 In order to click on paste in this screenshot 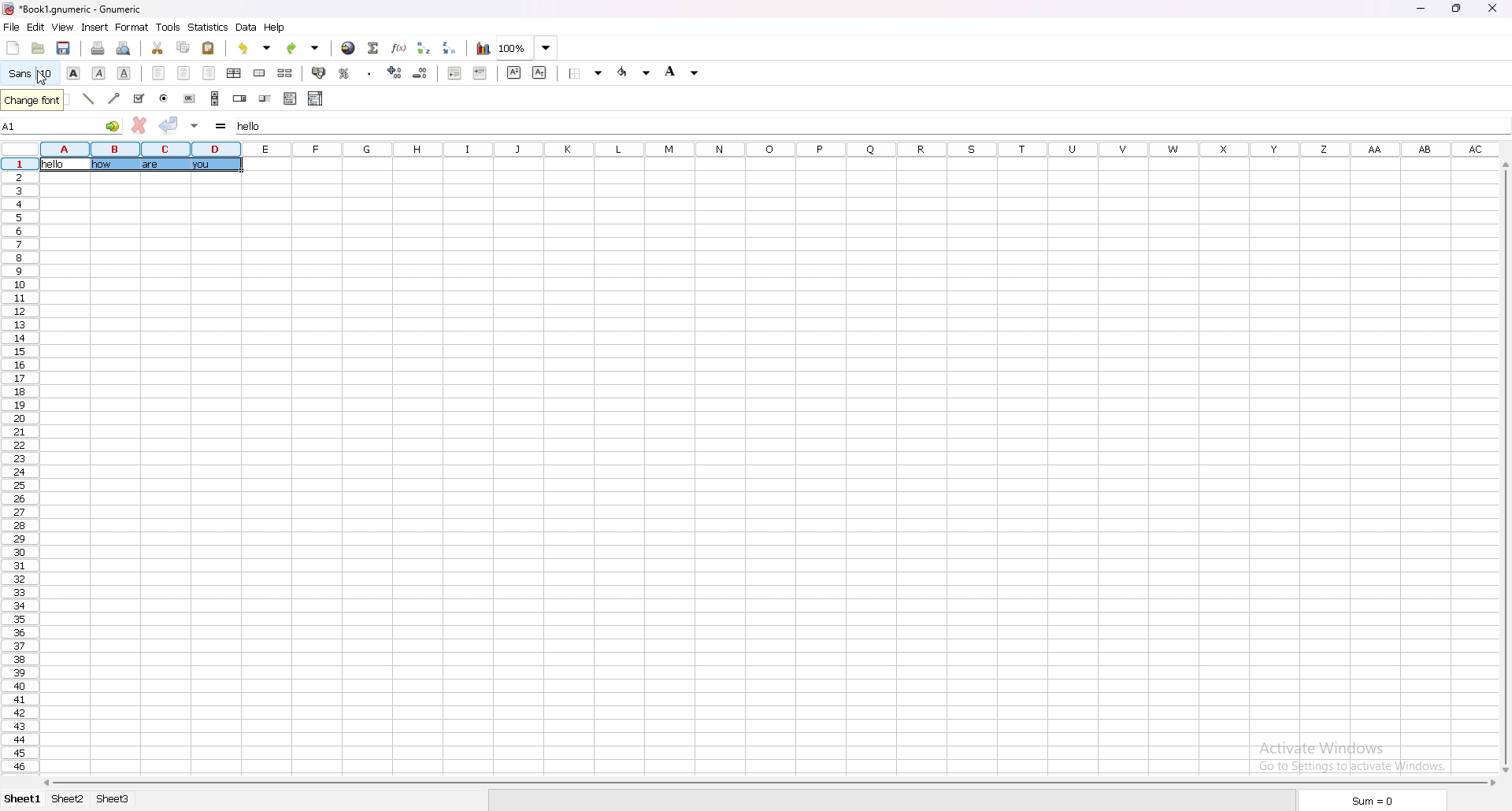, I will do `click(209, 47)`.